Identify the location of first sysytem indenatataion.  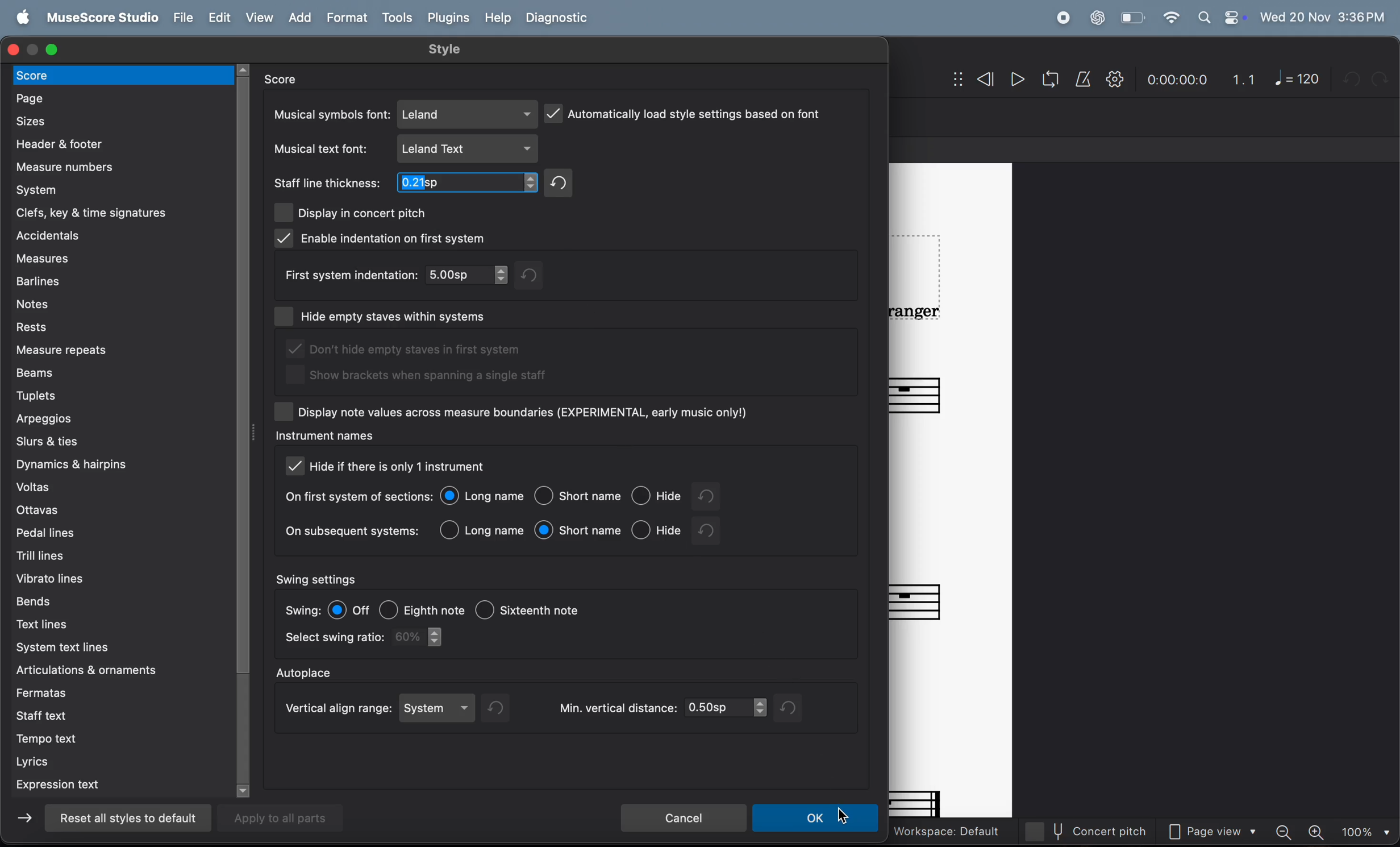
(348, 275).